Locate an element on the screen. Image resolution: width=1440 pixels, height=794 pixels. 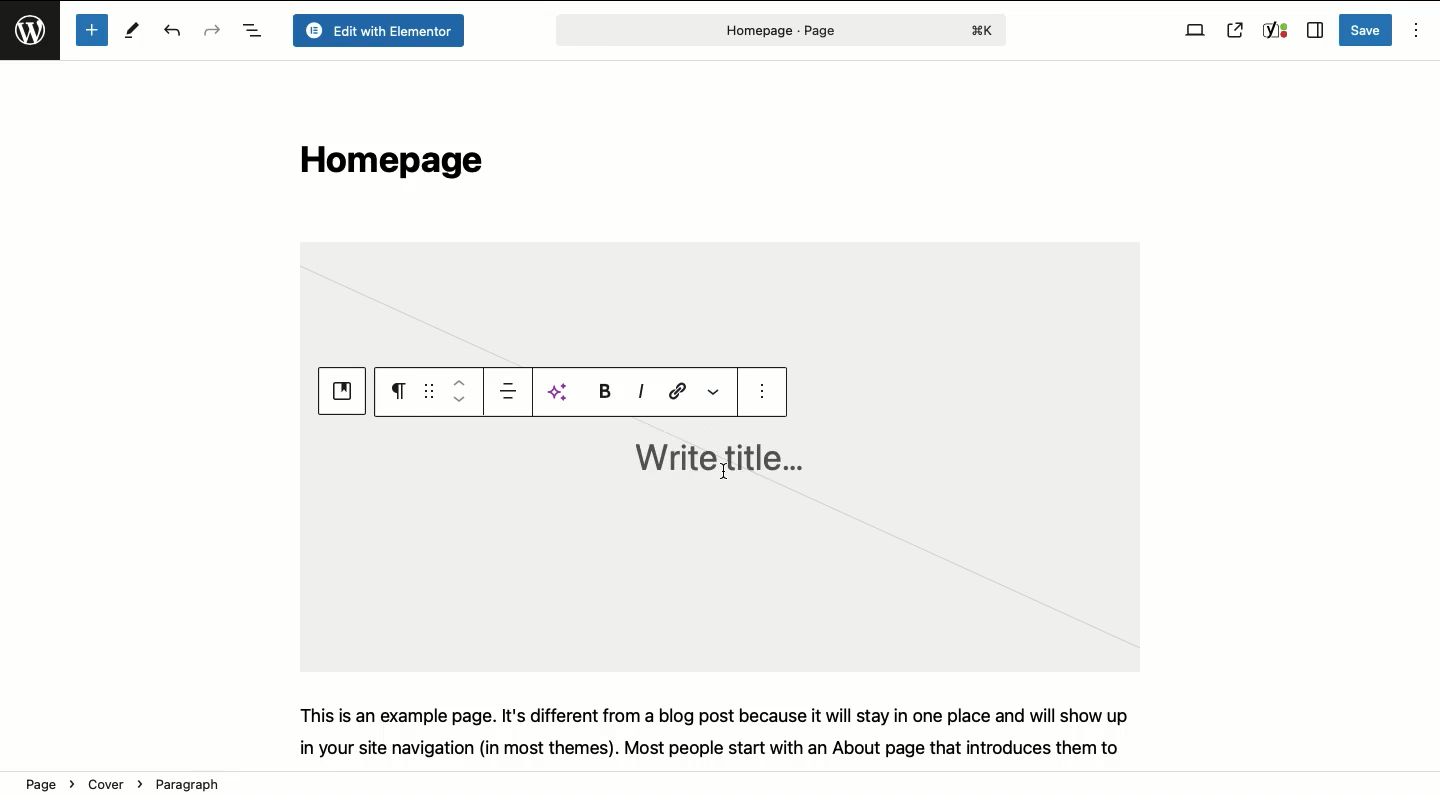
Sidebar is located at coordinates (1314, 31).